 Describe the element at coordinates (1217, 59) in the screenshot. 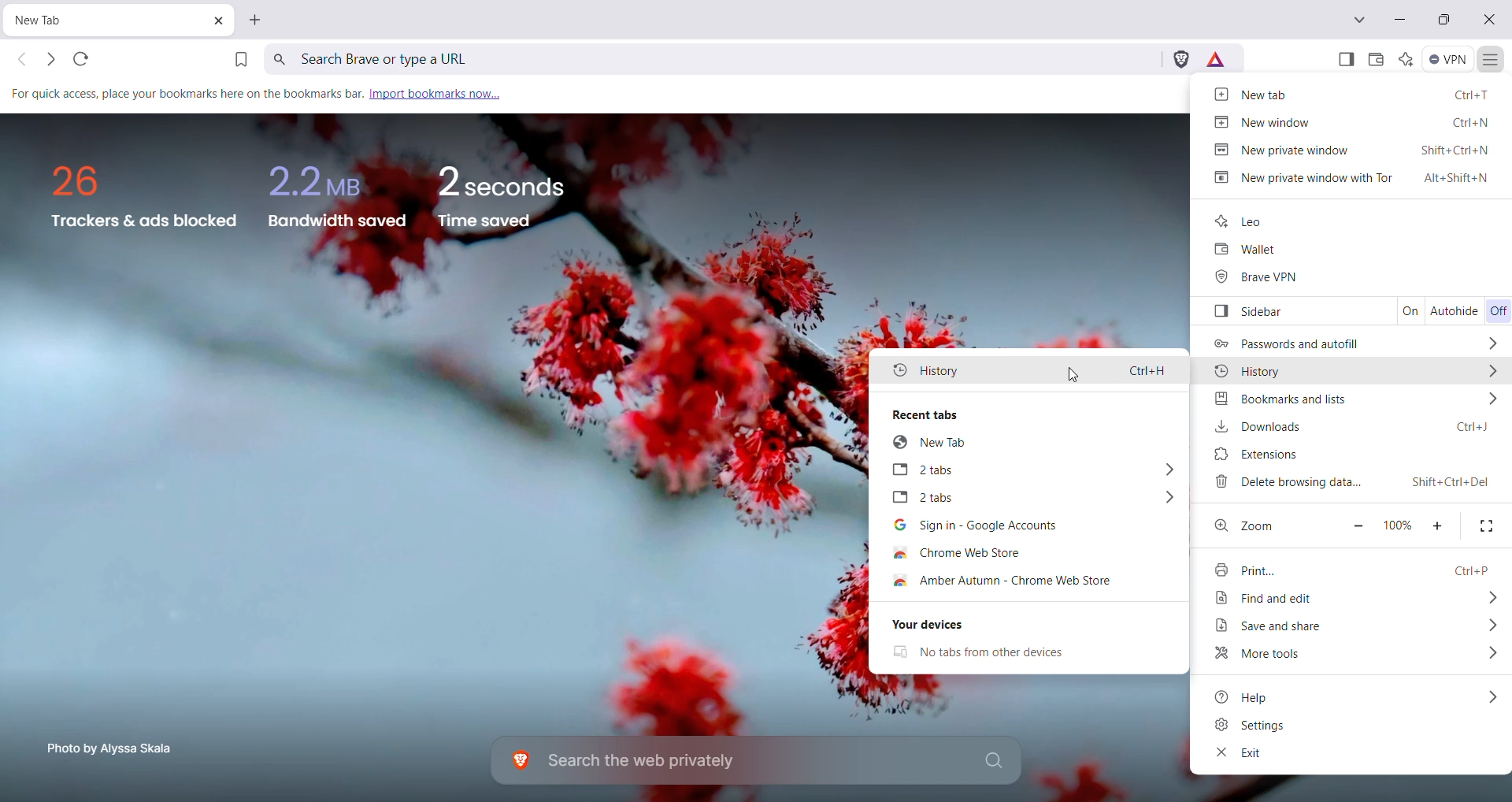

I see `Earn tokens for private Ads you see on Brave` at that location.